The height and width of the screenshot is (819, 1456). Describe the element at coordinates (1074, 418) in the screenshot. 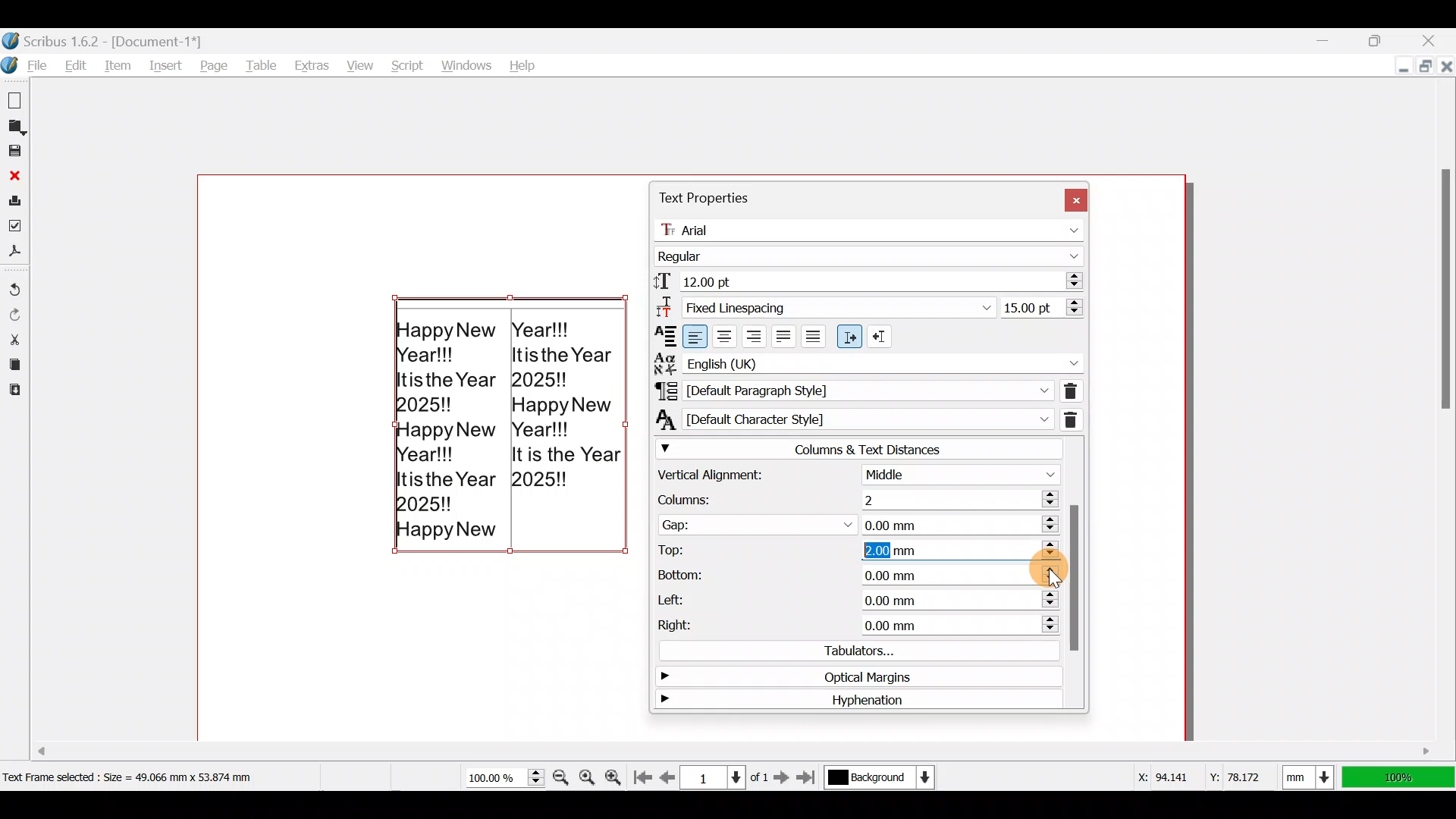

I see `Remove direct character formatting` at that location.